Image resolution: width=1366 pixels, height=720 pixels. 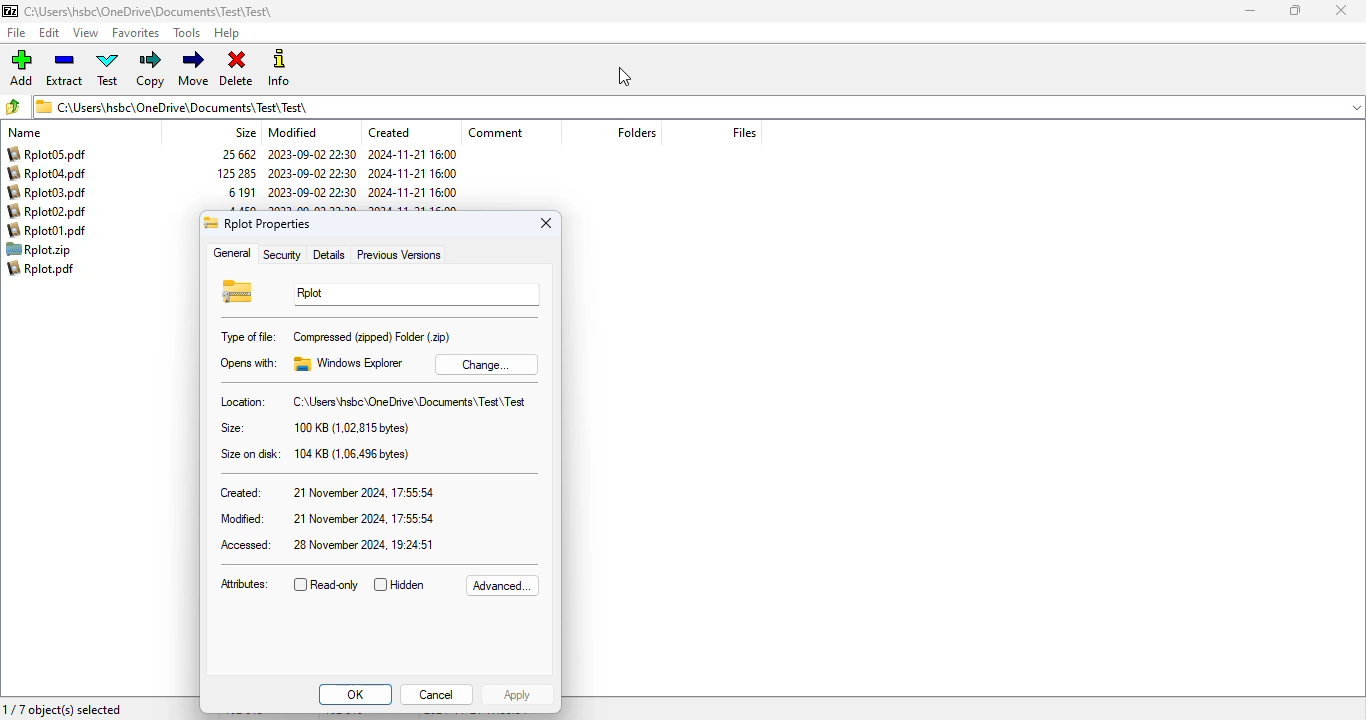 What do you see at coordinates (500, 585) in the screenshot?
I see `advanced` at bounding box center [500, 585].